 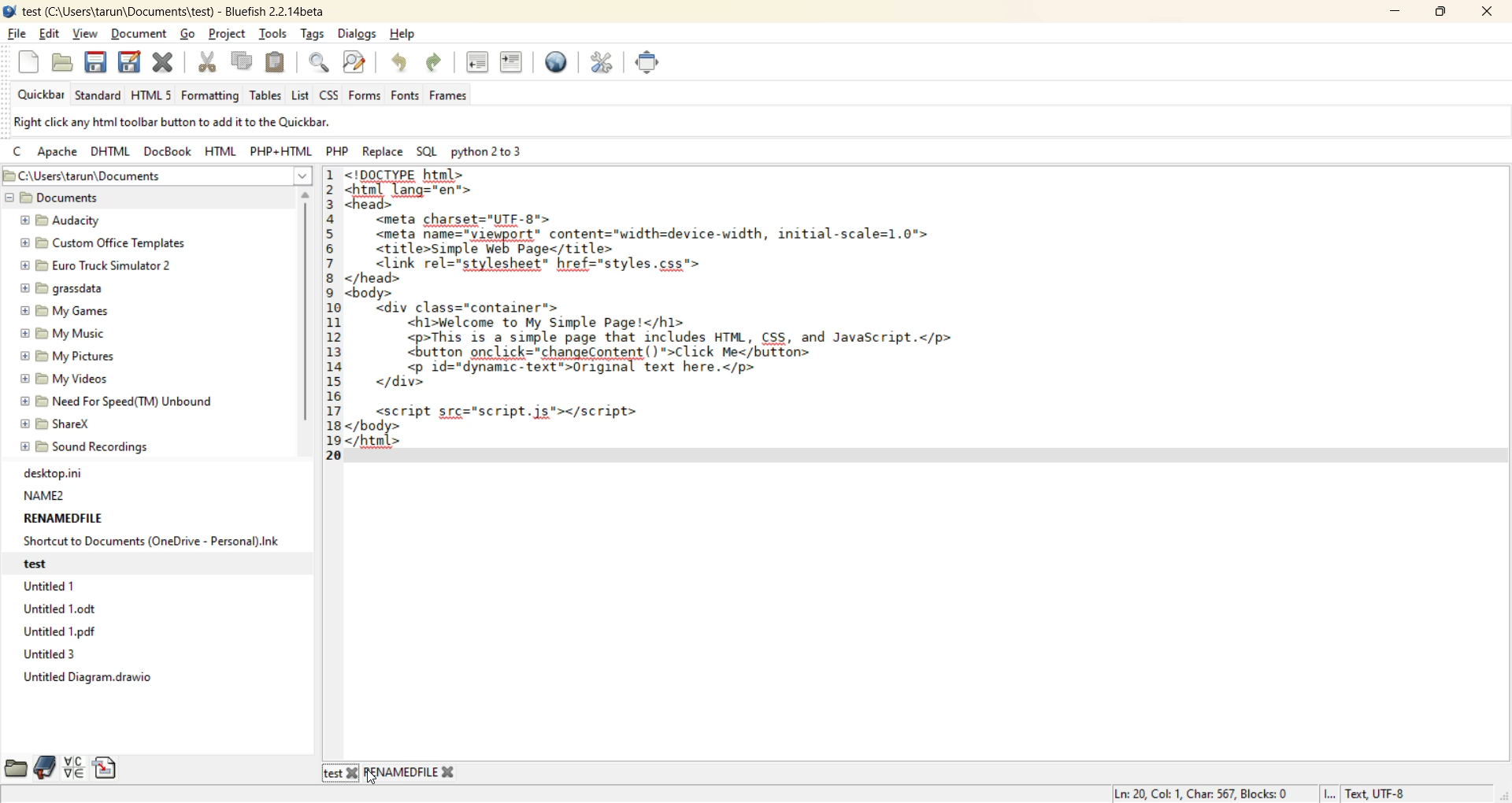 What do you see at coordinates (170, 9) in the screenshot?
I see `file name and app name` at bounding box center [170, 9].